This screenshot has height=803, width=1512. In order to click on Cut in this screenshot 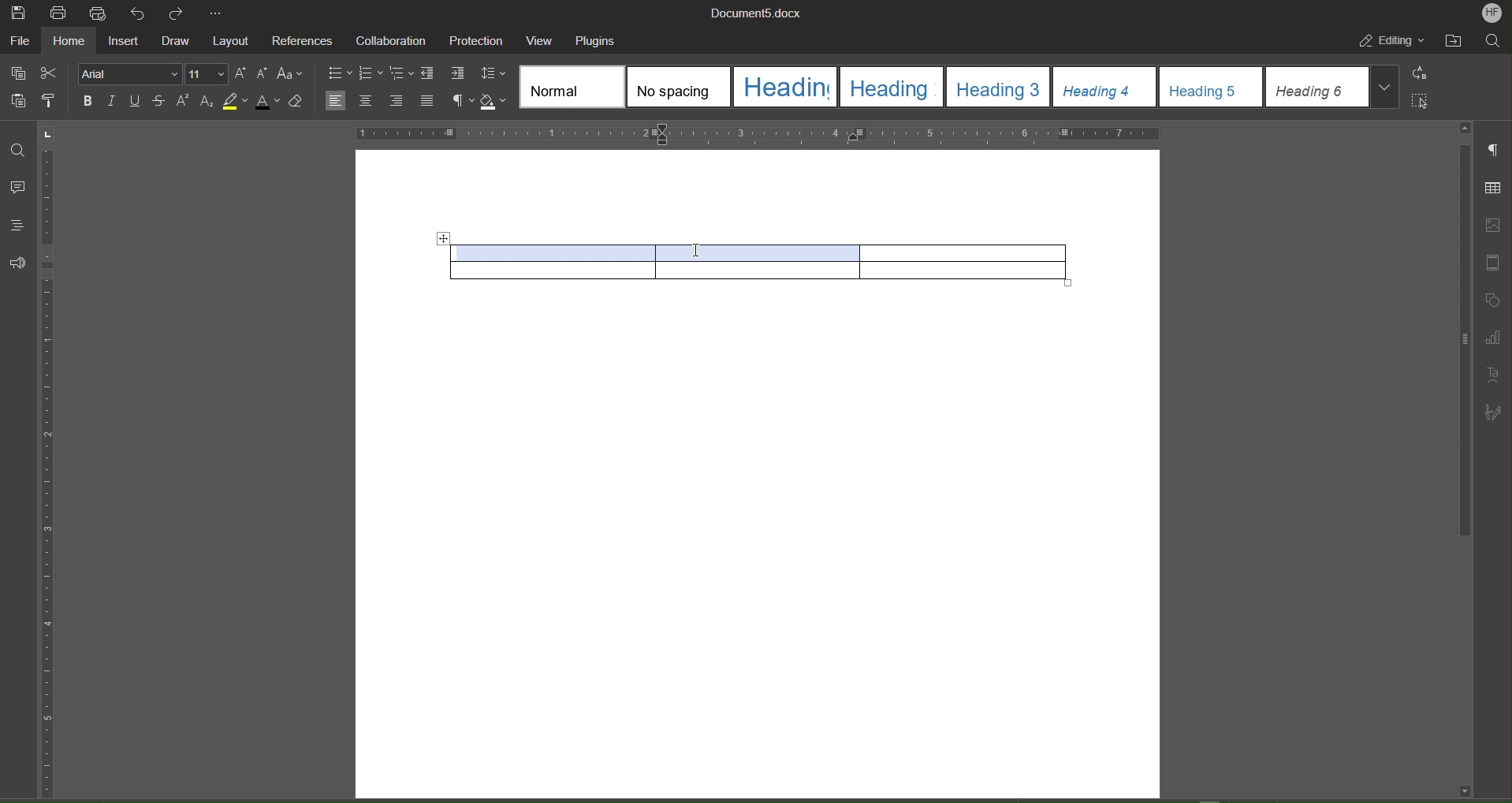, I will do `click(50, 71)`.